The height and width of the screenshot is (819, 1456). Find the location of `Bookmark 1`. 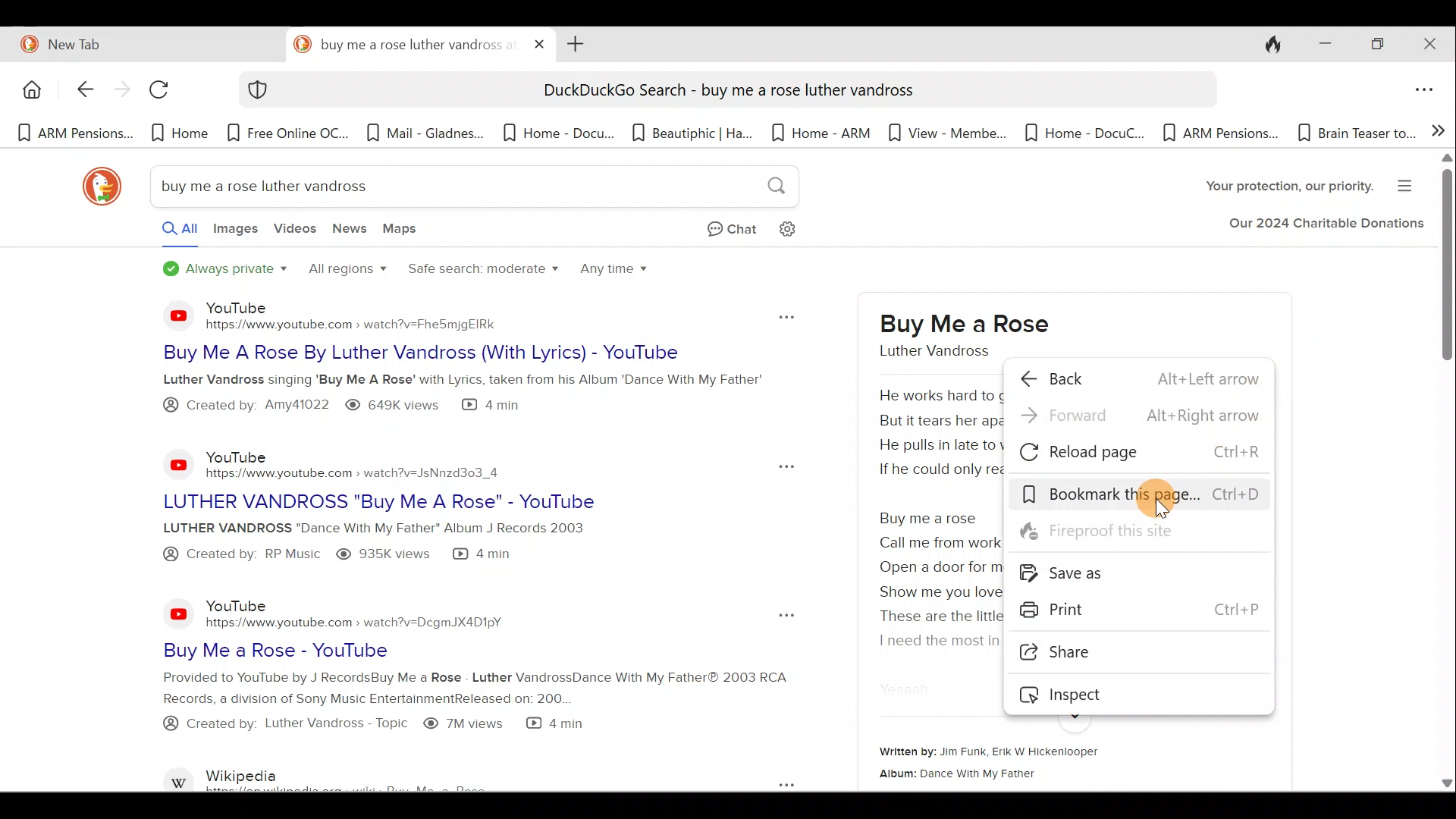

Bookmark 1 is located at coordinates (74, 134).